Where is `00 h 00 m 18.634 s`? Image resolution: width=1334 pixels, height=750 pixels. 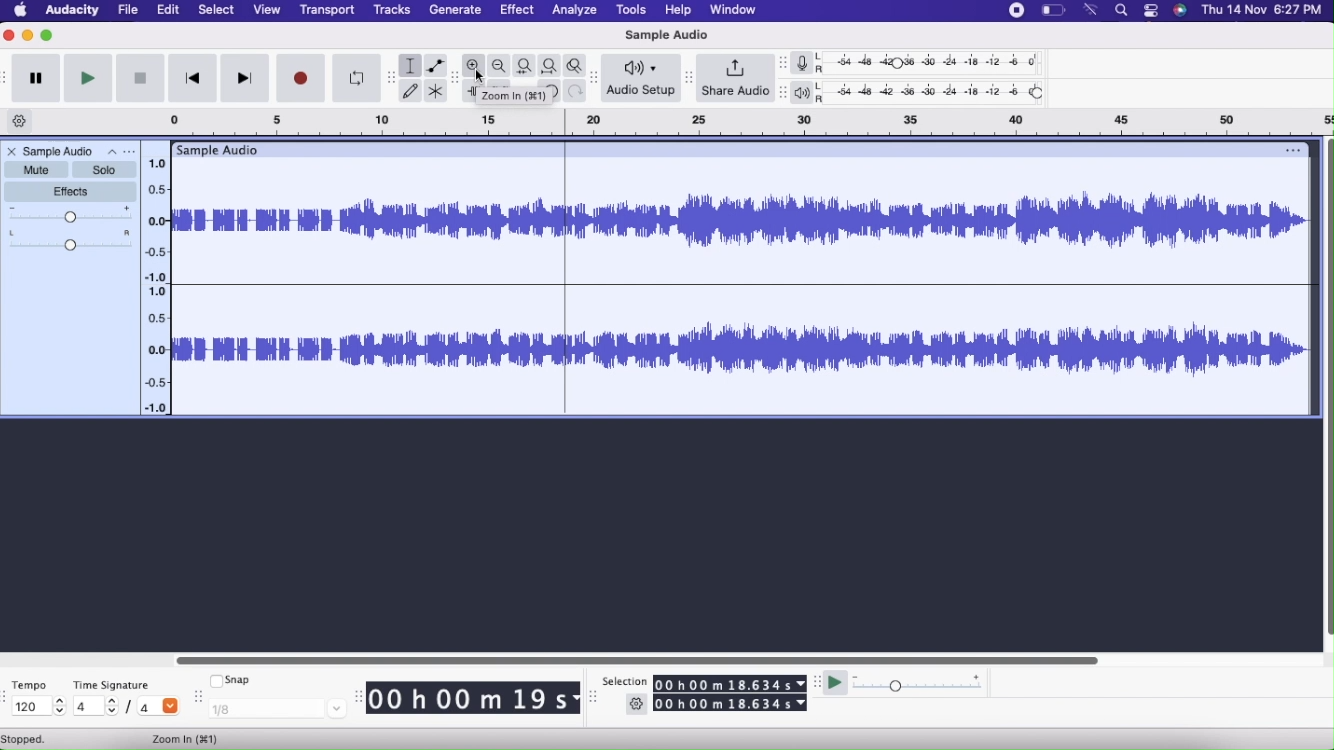 00 h 00 m 18.634 s is located at coordinates (730, 704).